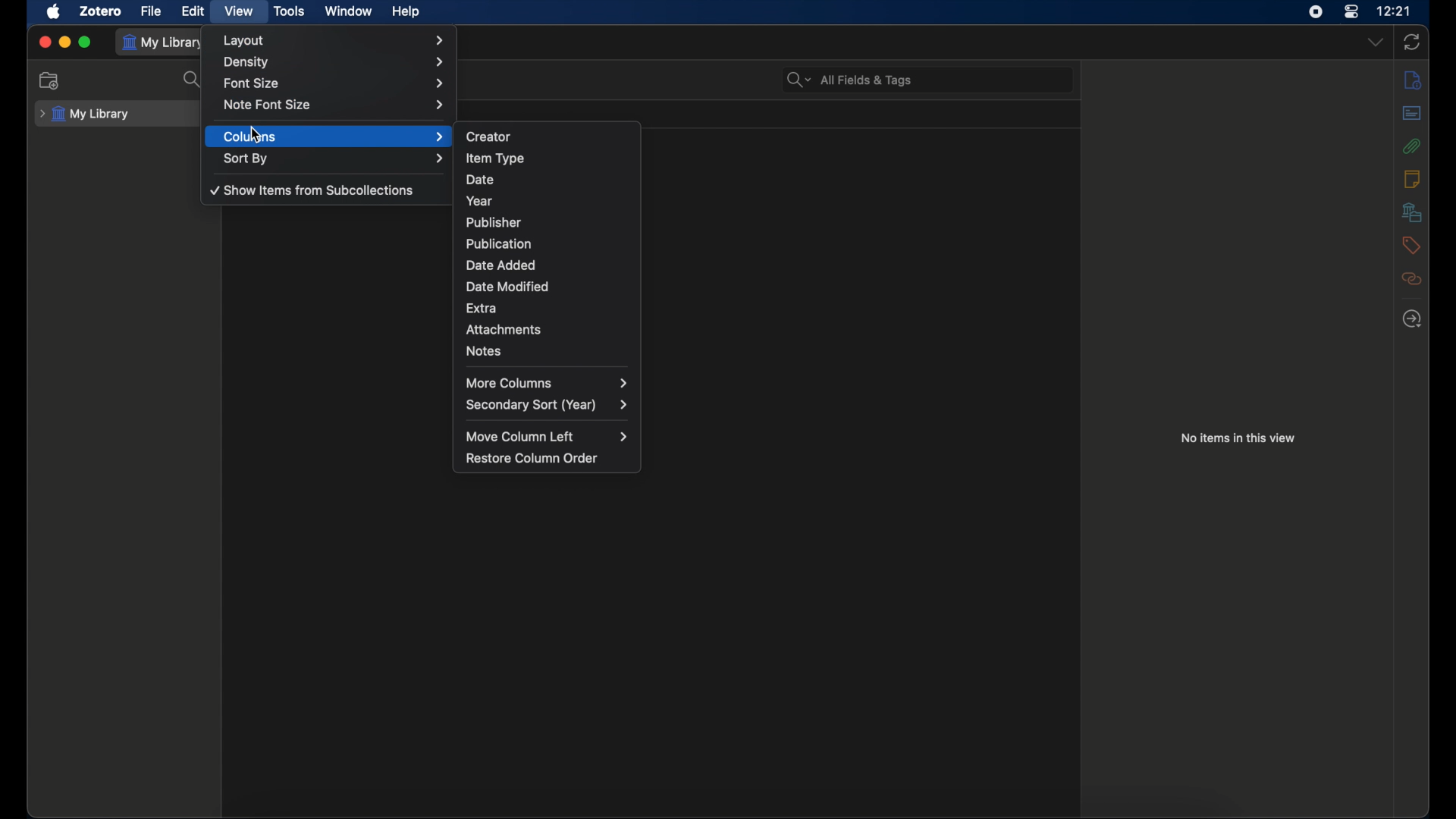 The image size is (1456, 819). I want to click on notes, so click(1412, 179).